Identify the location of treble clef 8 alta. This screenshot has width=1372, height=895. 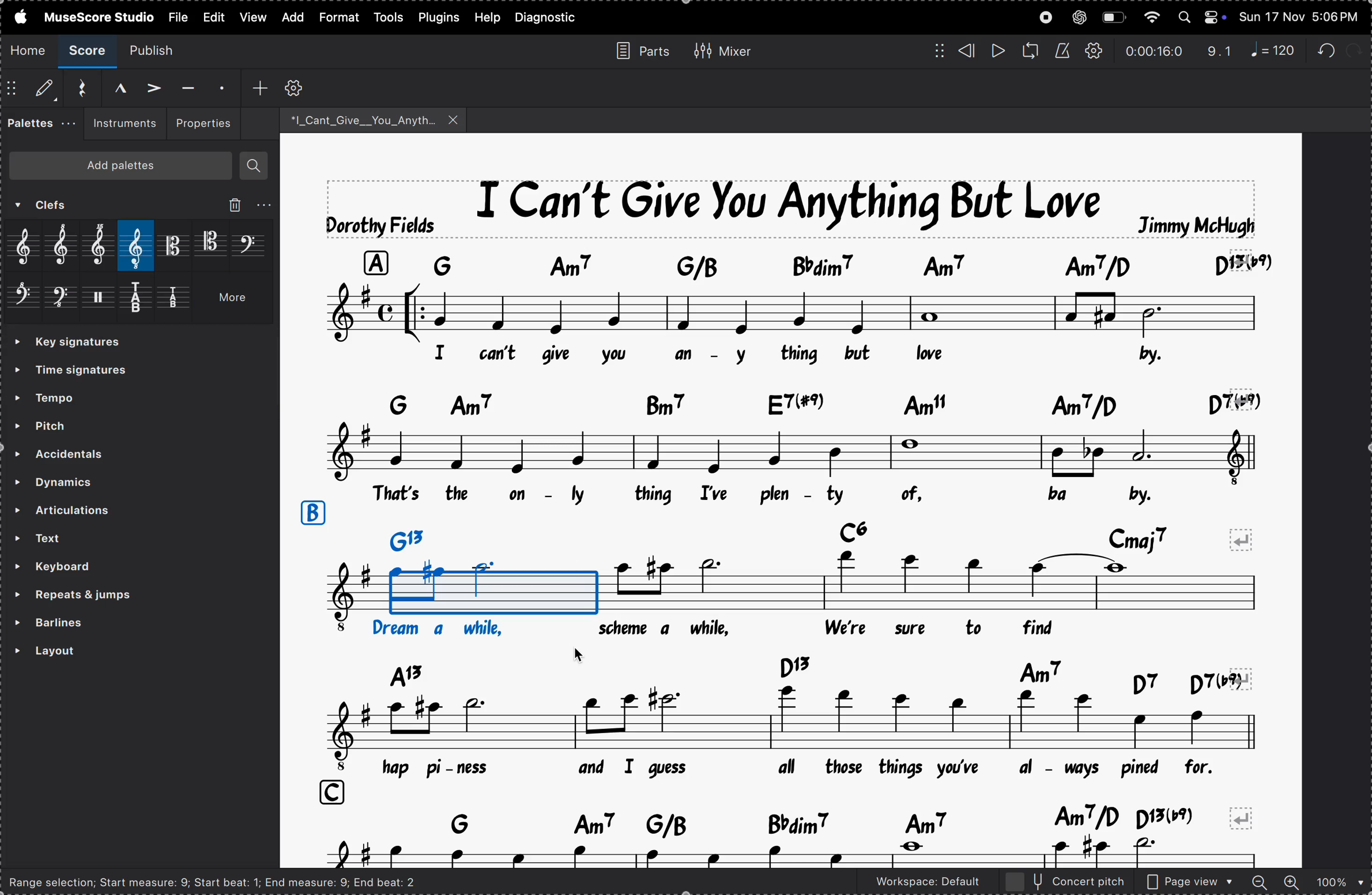
(66, 246).